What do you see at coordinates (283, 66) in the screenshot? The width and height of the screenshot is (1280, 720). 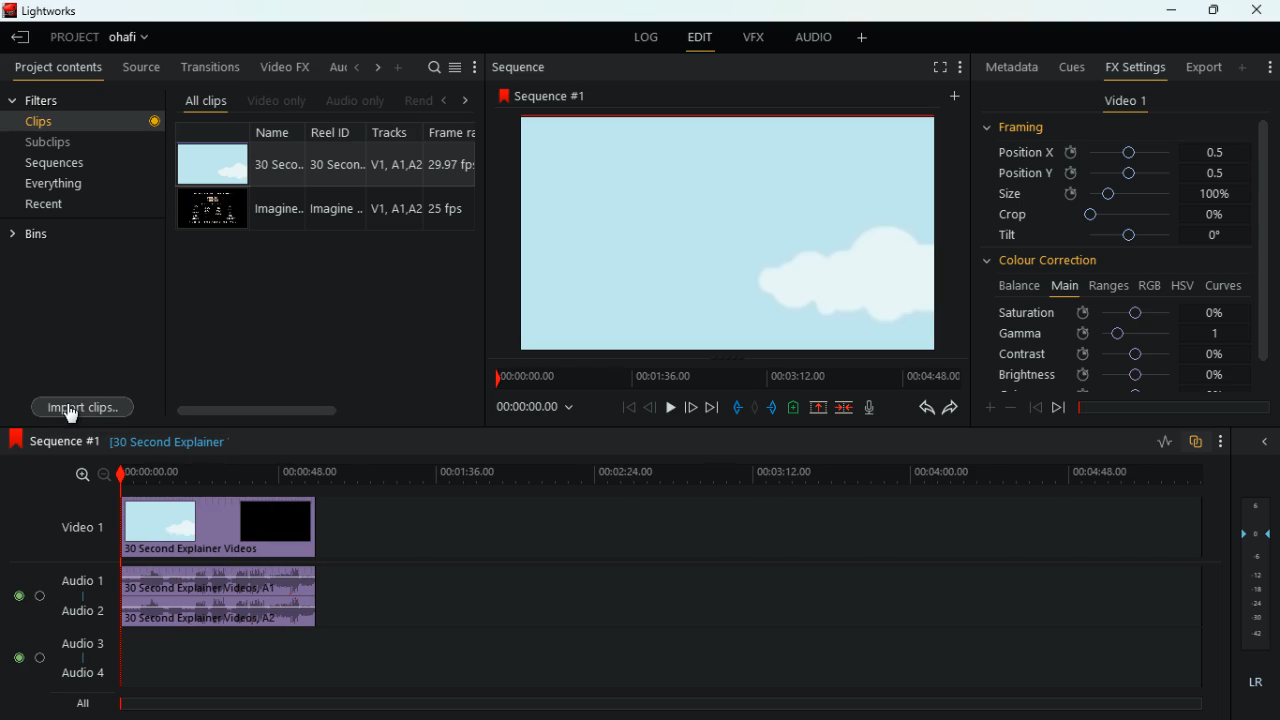 I see `video fx` at bounding box center [283, 66].